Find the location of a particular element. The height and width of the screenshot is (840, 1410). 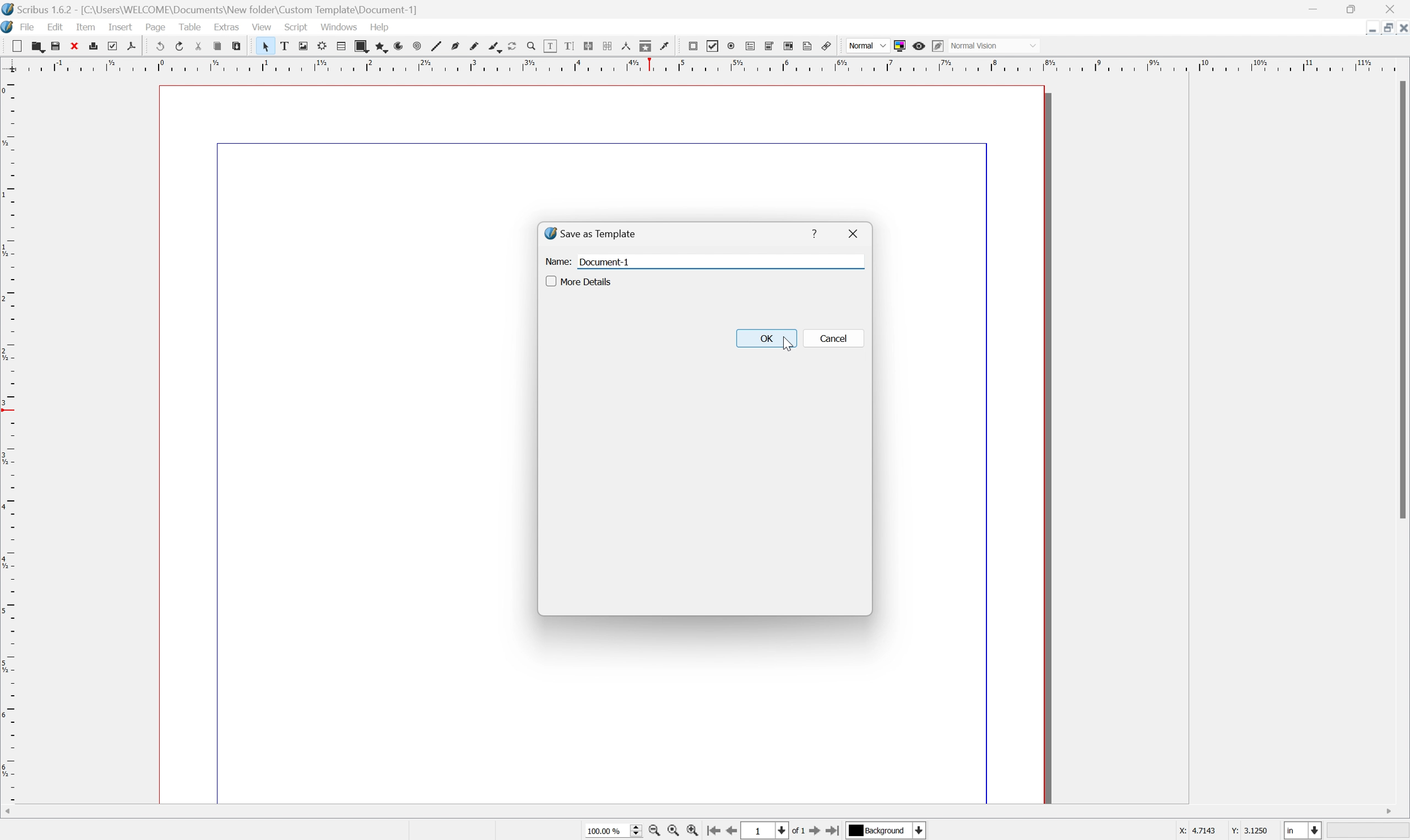

Go to last page is located at coordinates (834, 832).